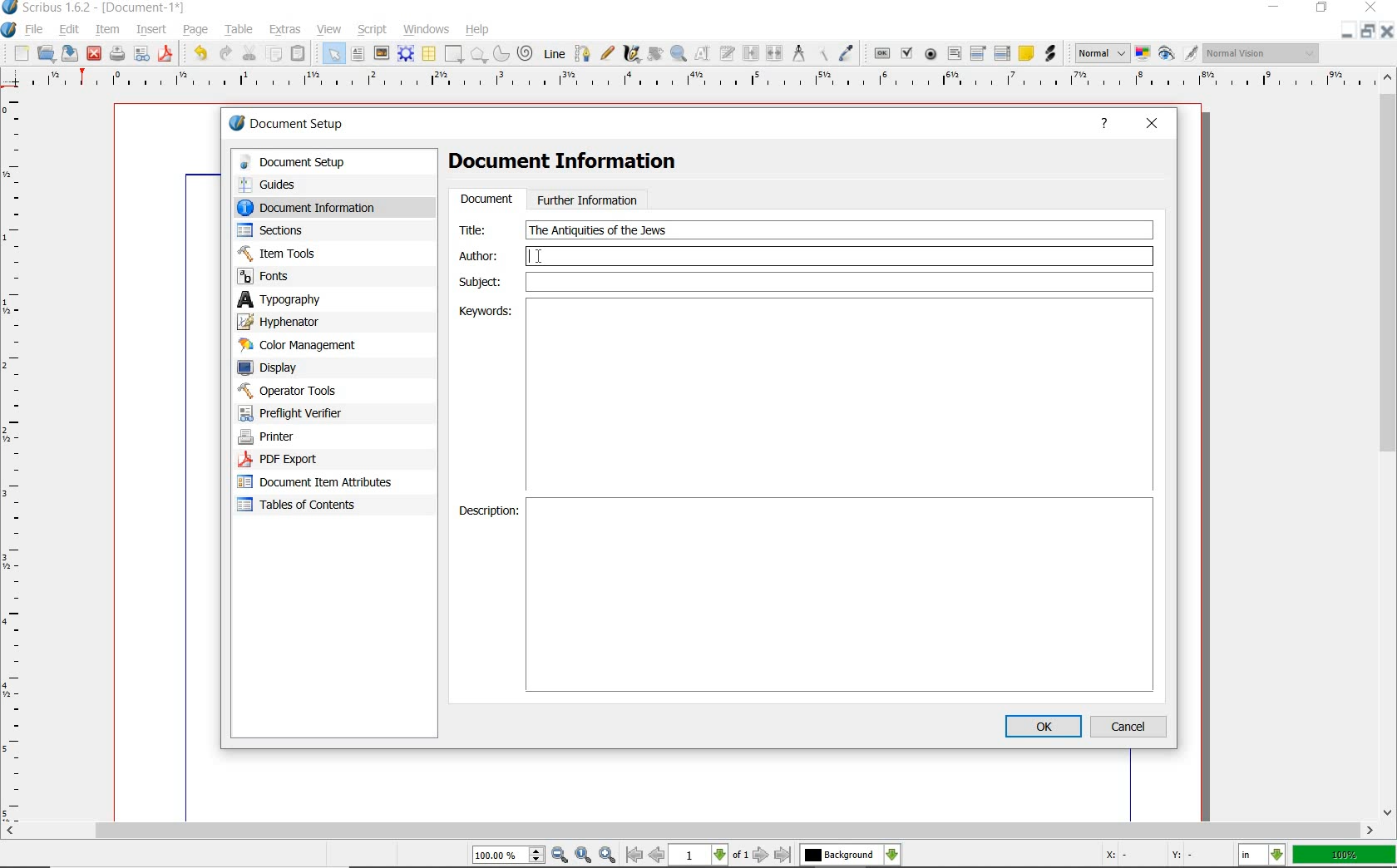  What do you see at coordinates (606, 52) in the screenshot?
I see `freehand line` at bounding box center [606, 52].